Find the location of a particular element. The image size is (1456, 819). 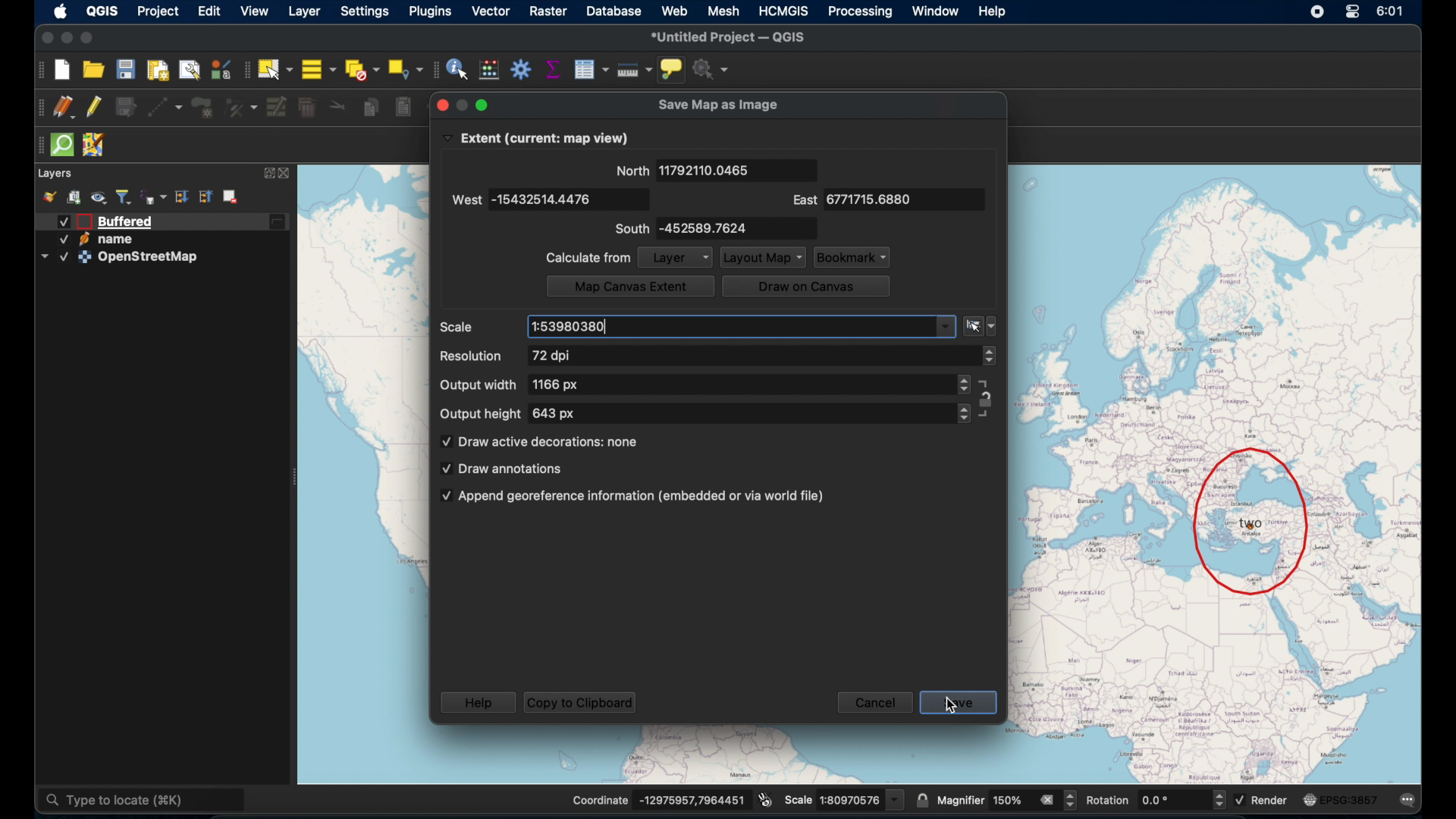

toggle extents and position mouse display is located at coordinates (764, 797).